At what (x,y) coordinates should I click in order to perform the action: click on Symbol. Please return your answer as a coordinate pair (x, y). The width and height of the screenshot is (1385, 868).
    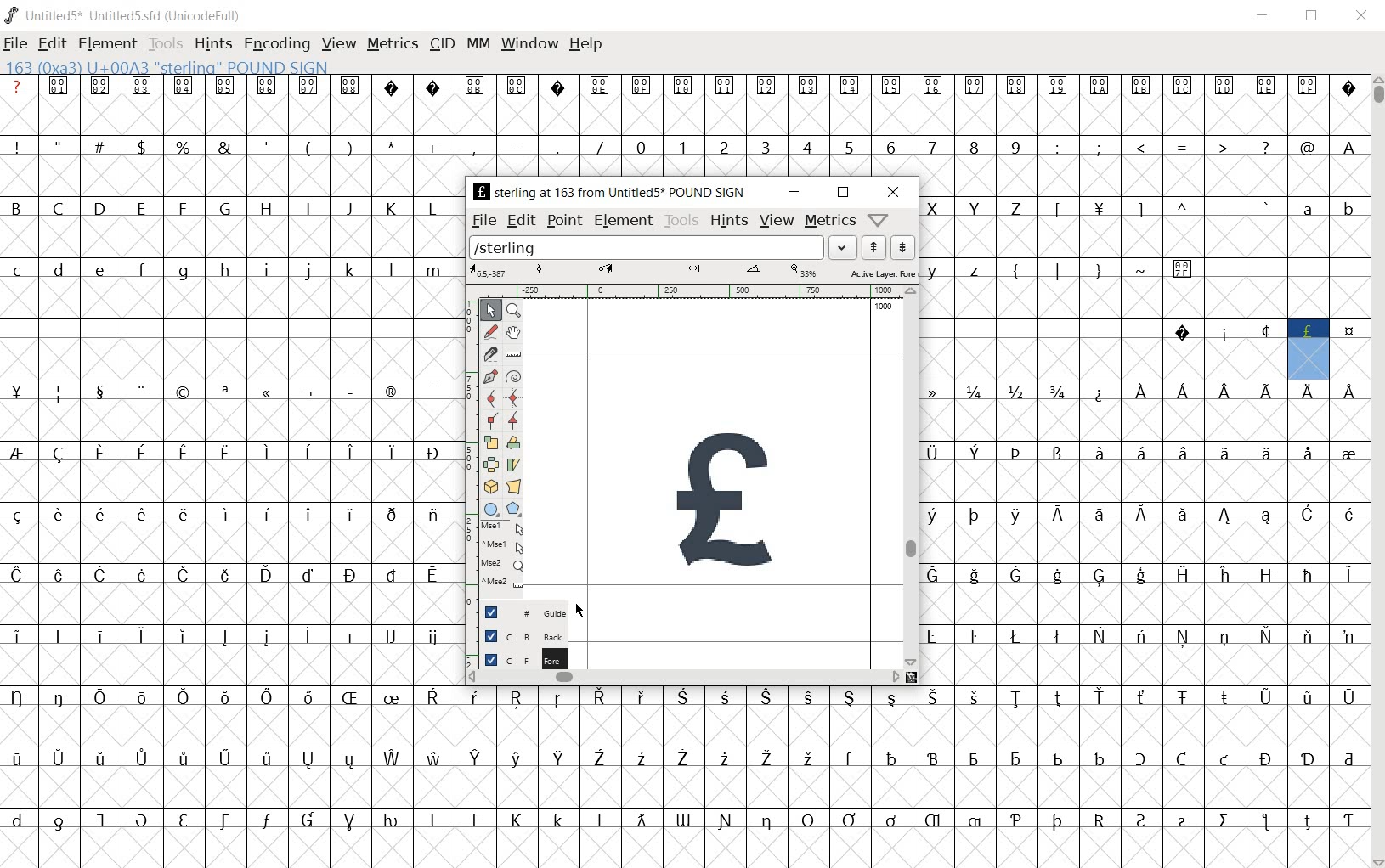
    Looking at the image, I should click on (1265, 454).